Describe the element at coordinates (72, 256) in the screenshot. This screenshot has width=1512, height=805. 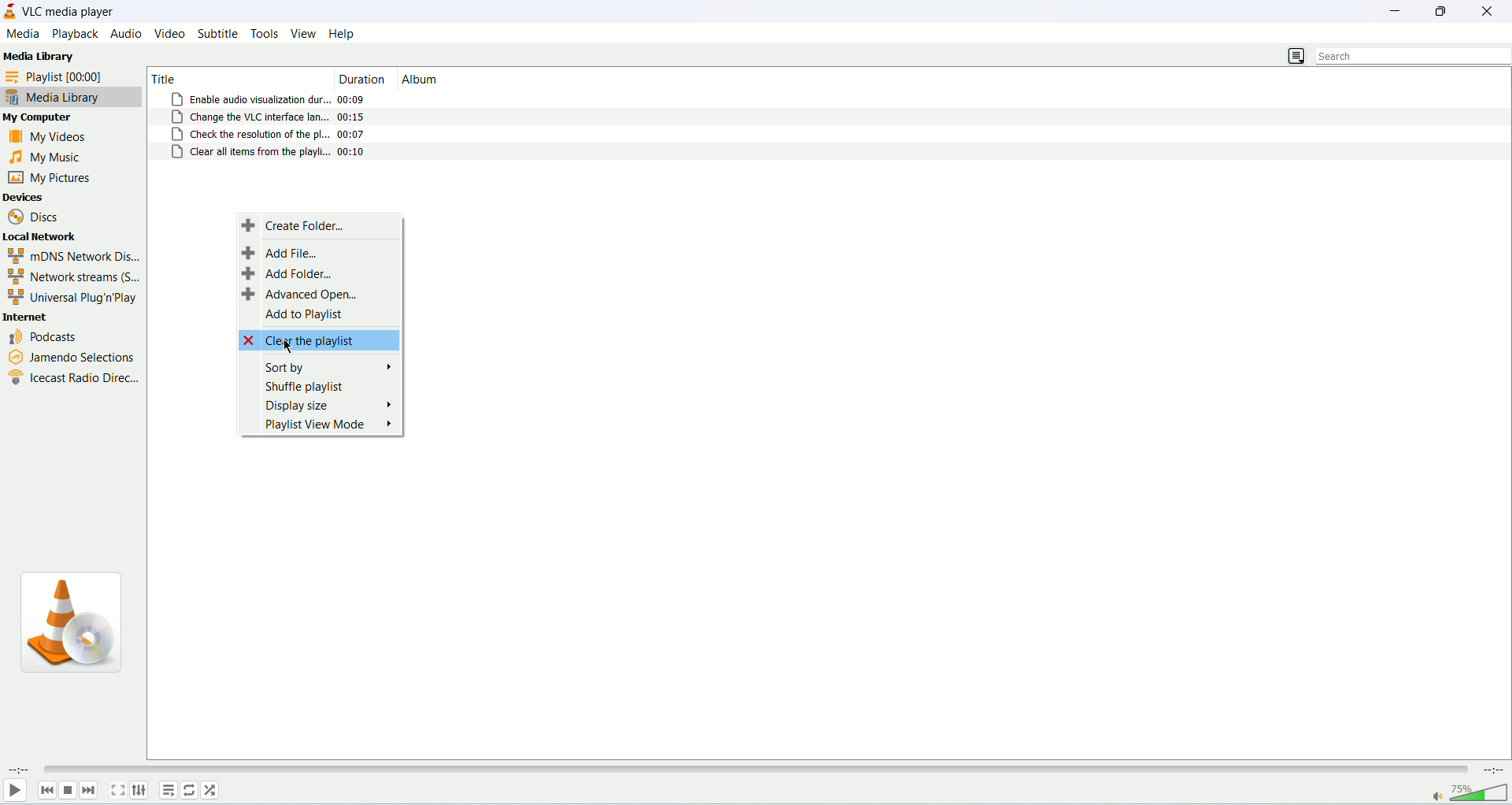
I see `mDNS Network` at that location.